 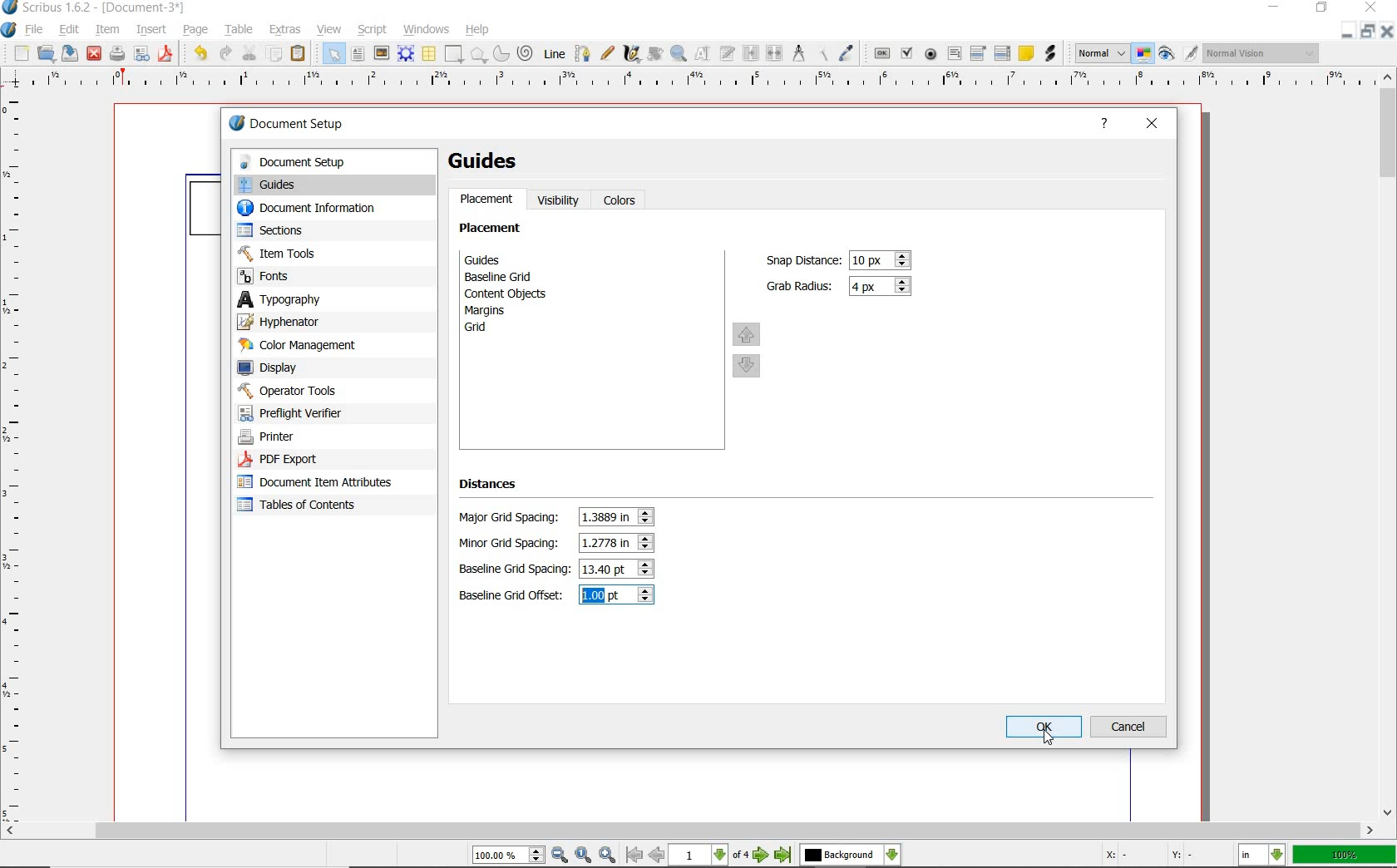 I want to click on close, so click(x=93, y=55).